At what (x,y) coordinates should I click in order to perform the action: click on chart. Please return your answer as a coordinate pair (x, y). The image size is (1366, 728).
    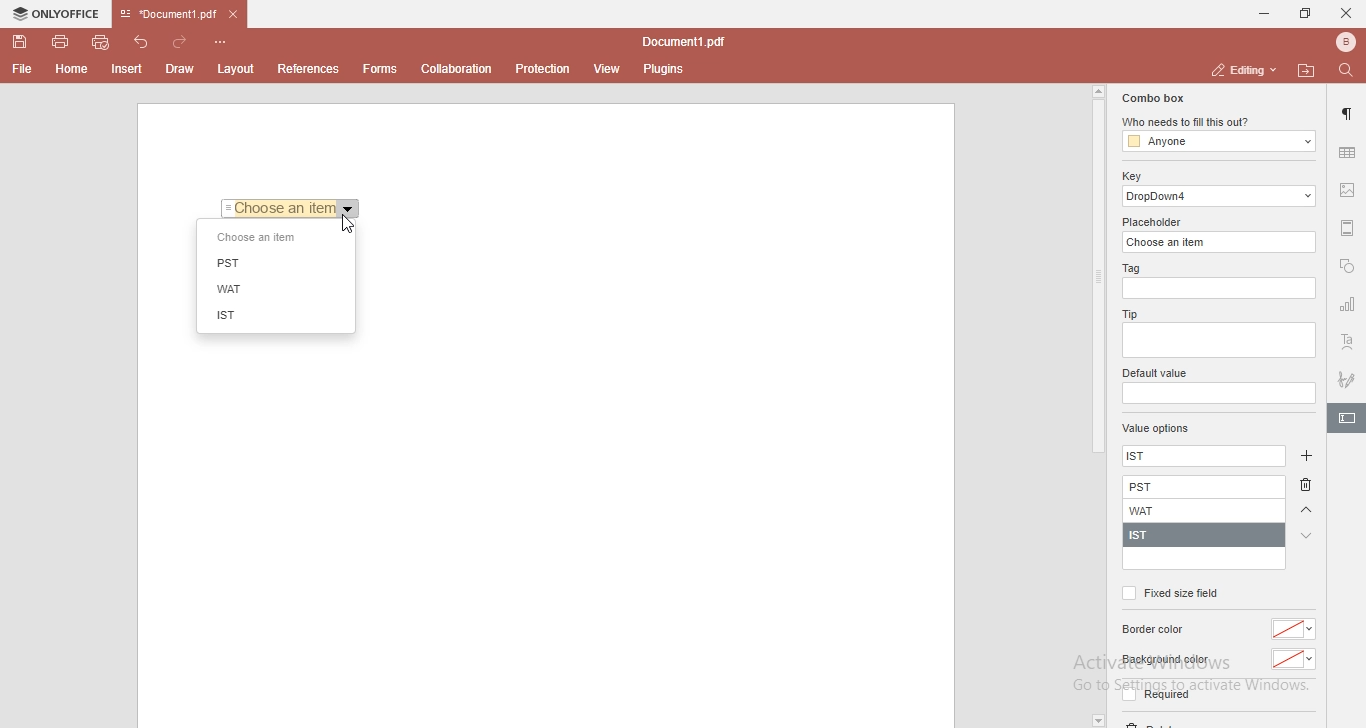
    Looking at the image, I should click on (1348, 308).